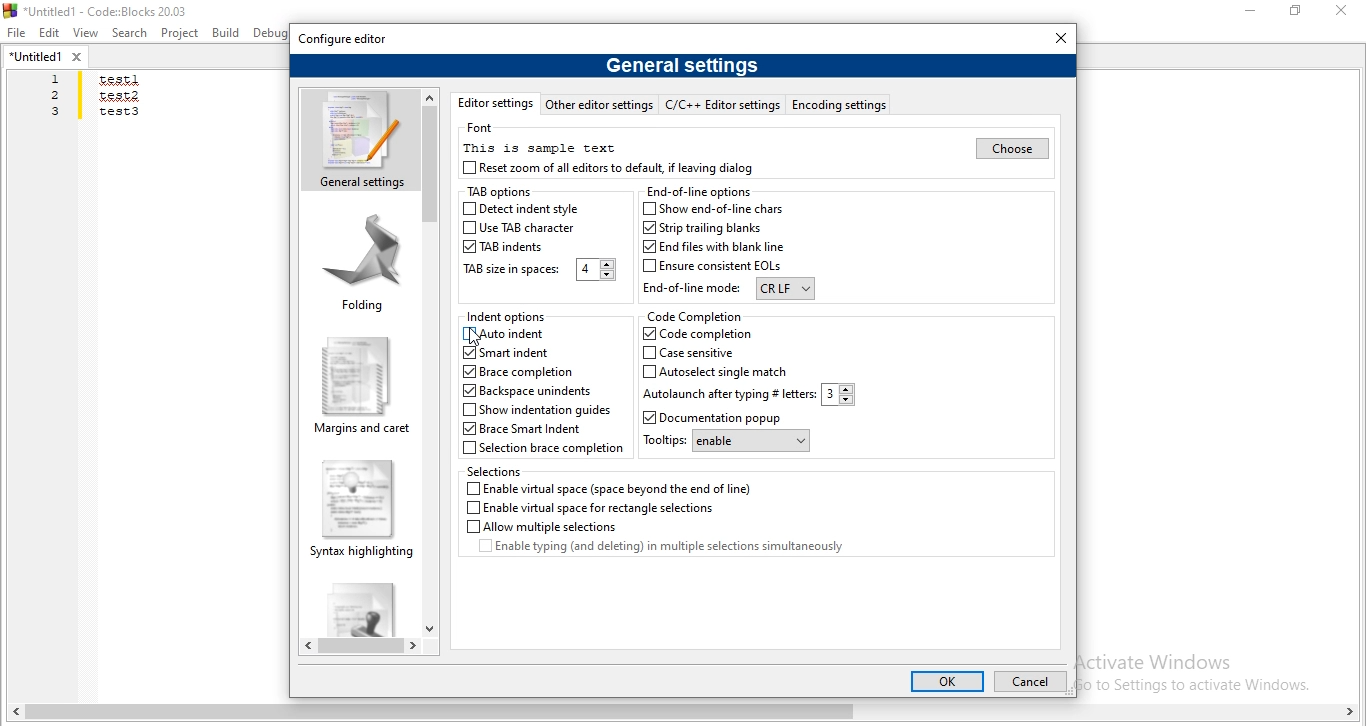 This screenshot has height=726, width=1366. What do you see at coordinates (725, 442) in the screenshot?
I see `Tooltips: enable` at bounding box center [725, 442].